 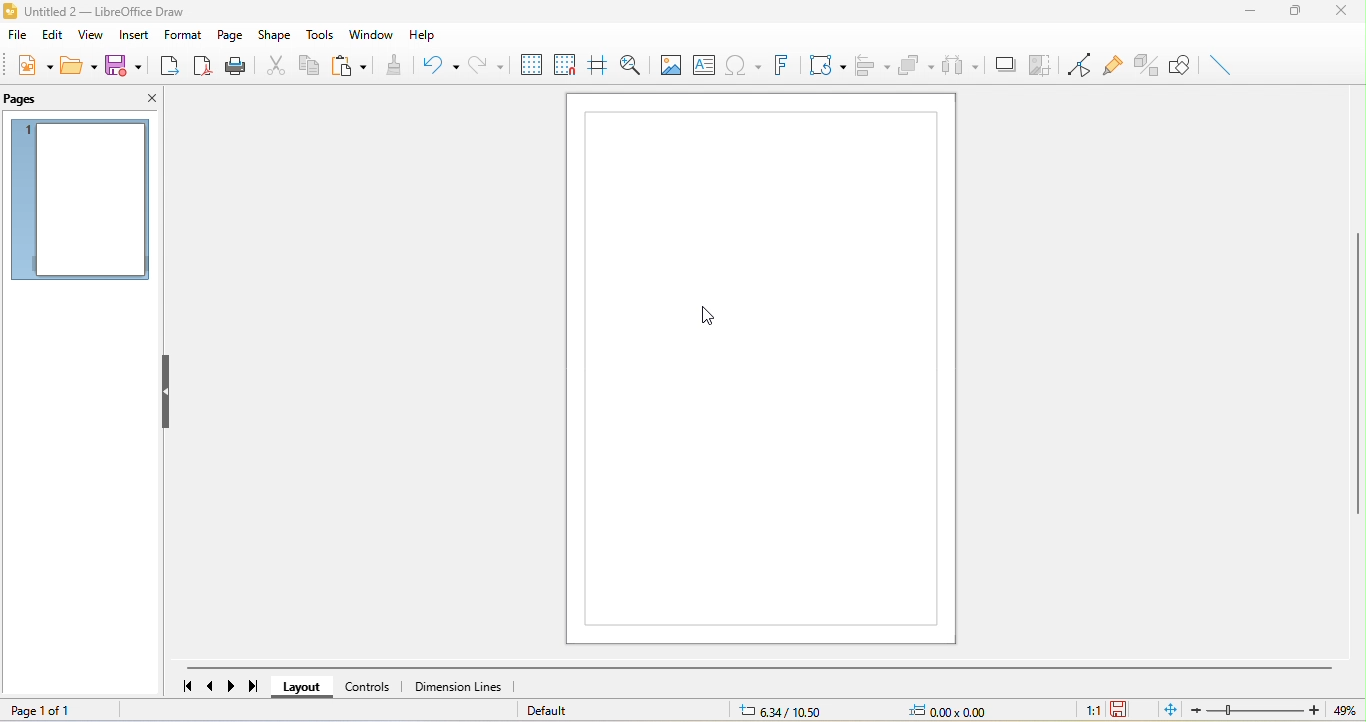 What do you see at coordinates (185, 35) in the screenshot?
I see `format` at bounding box center [185, 35].